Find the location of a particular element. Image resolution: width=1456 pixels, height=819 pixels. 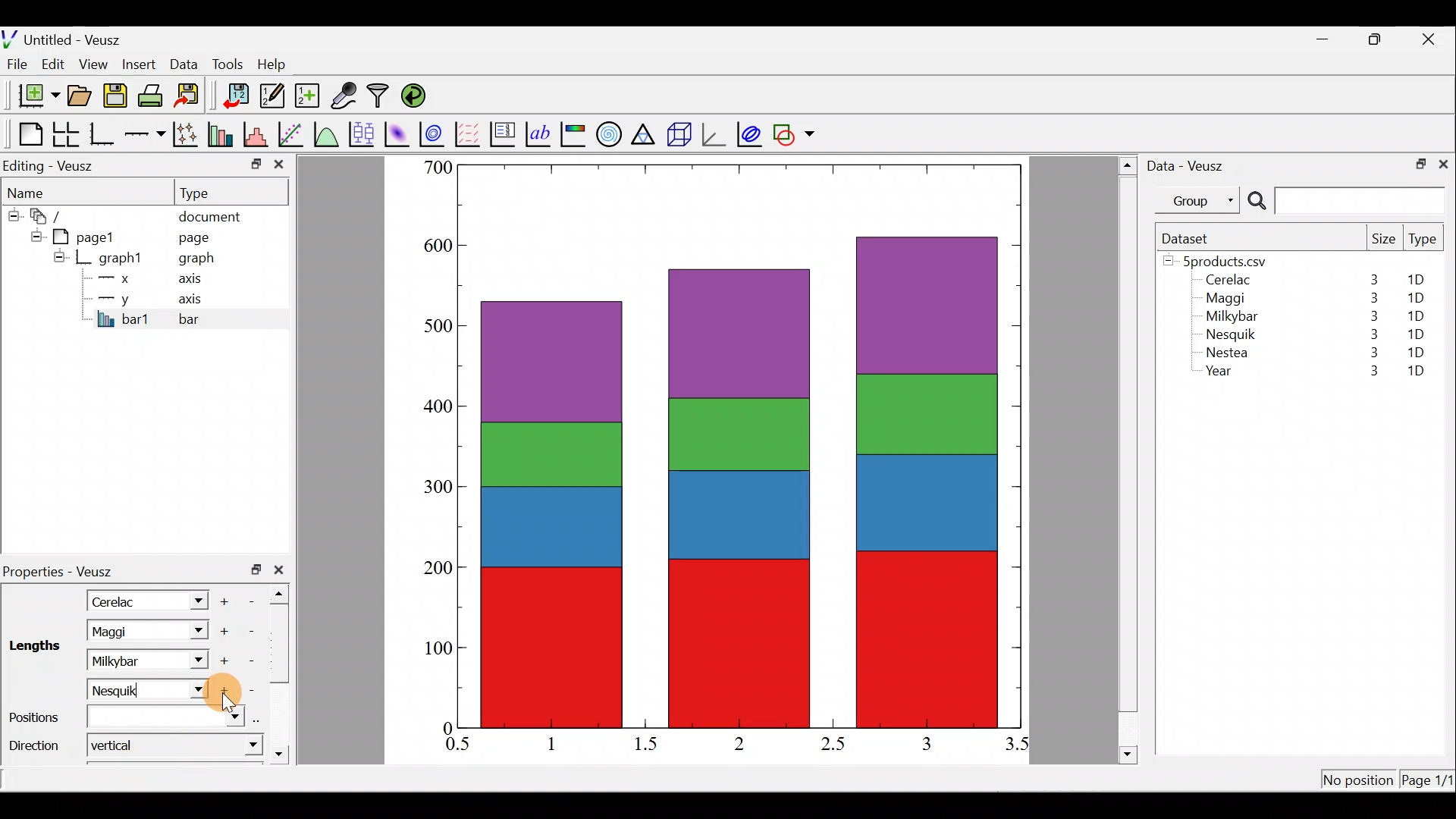

Size is located at coordinates (1383, 240).